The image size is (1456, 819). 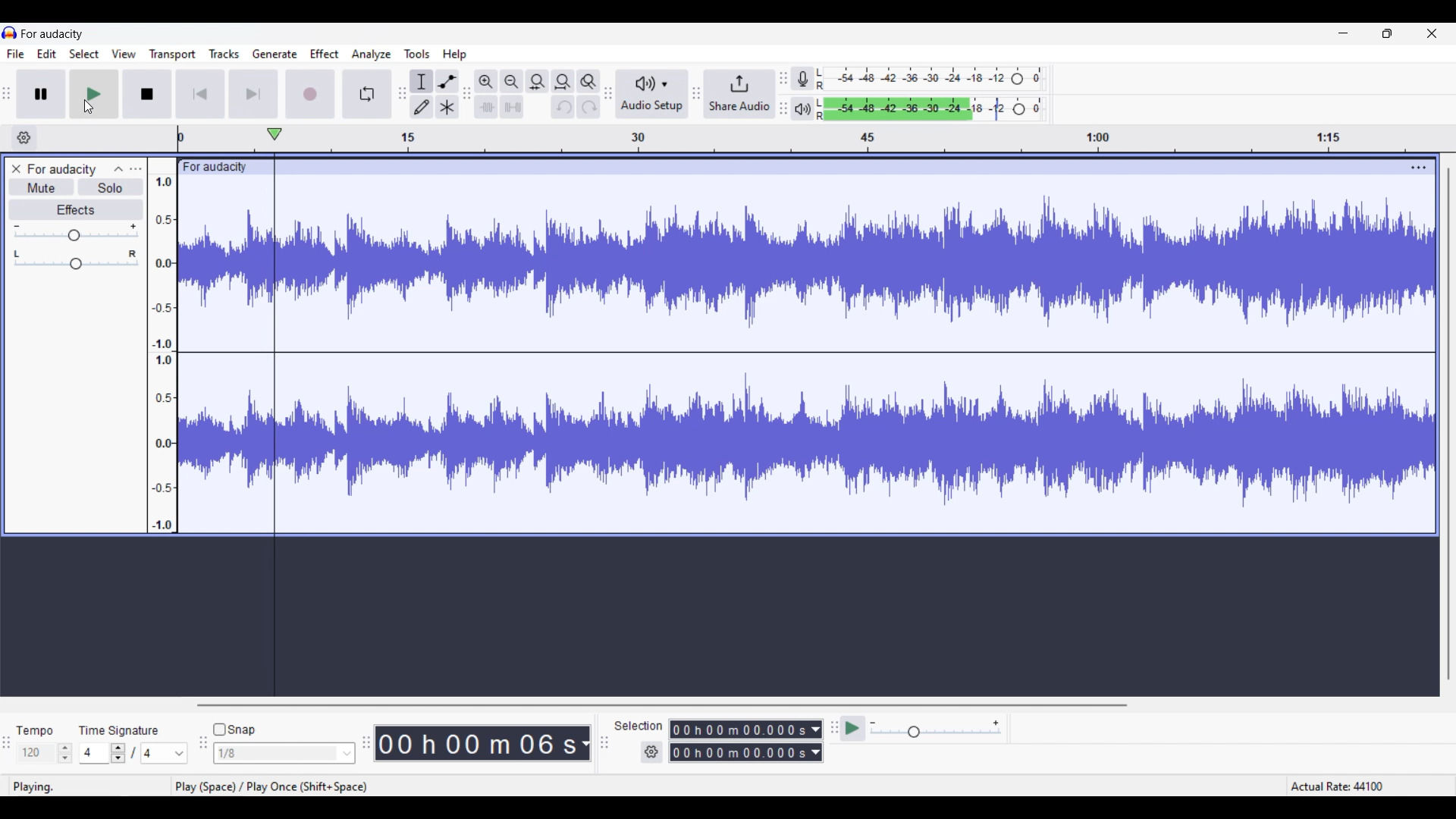 I want to click on Solo, so click(x=111, y=187).